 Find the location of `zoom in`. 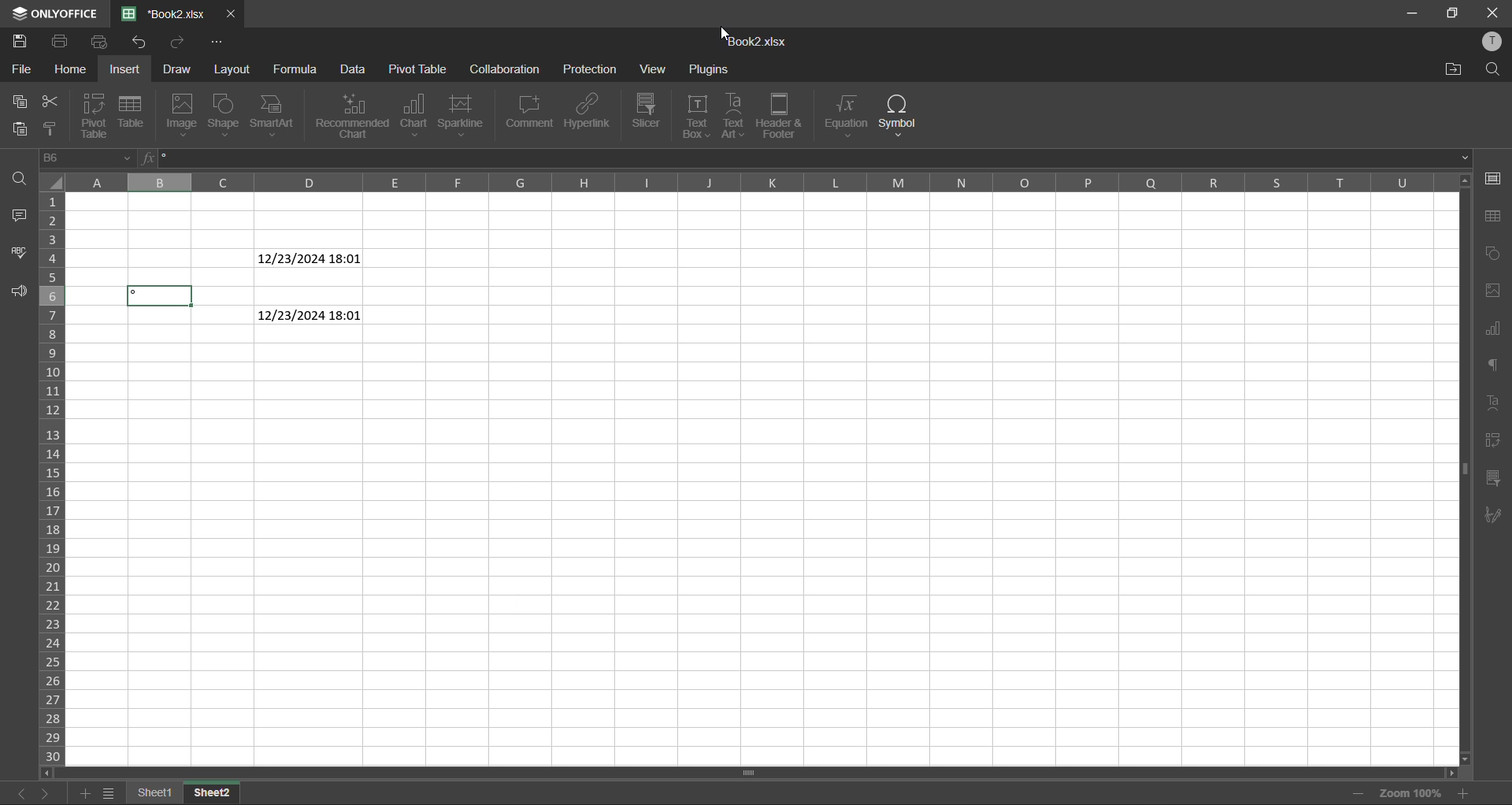

zoom in is located at coordinates (1355, 791).